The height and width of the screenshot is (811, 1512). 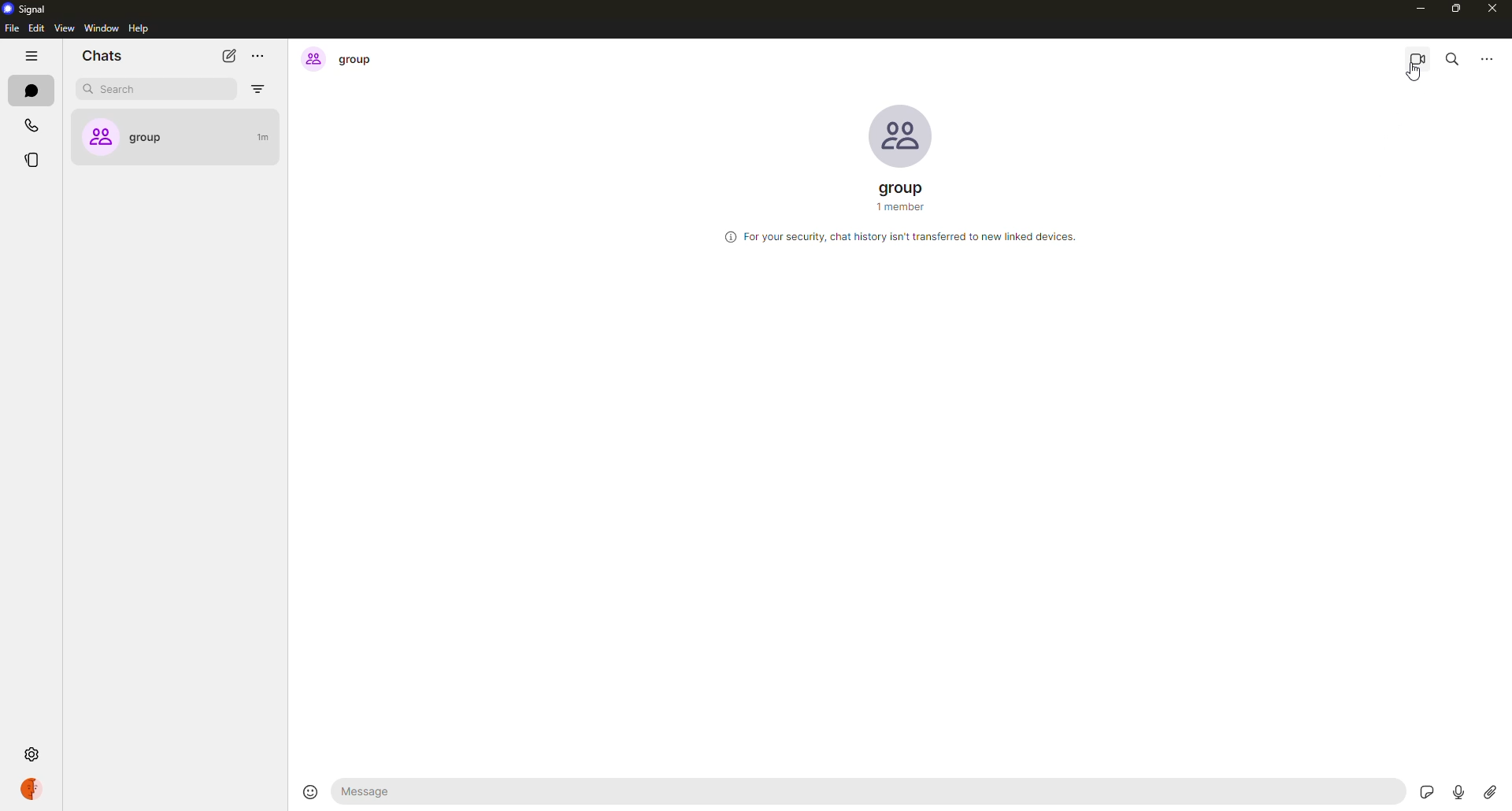 I want to click on profile, so click(x=33, y=786).